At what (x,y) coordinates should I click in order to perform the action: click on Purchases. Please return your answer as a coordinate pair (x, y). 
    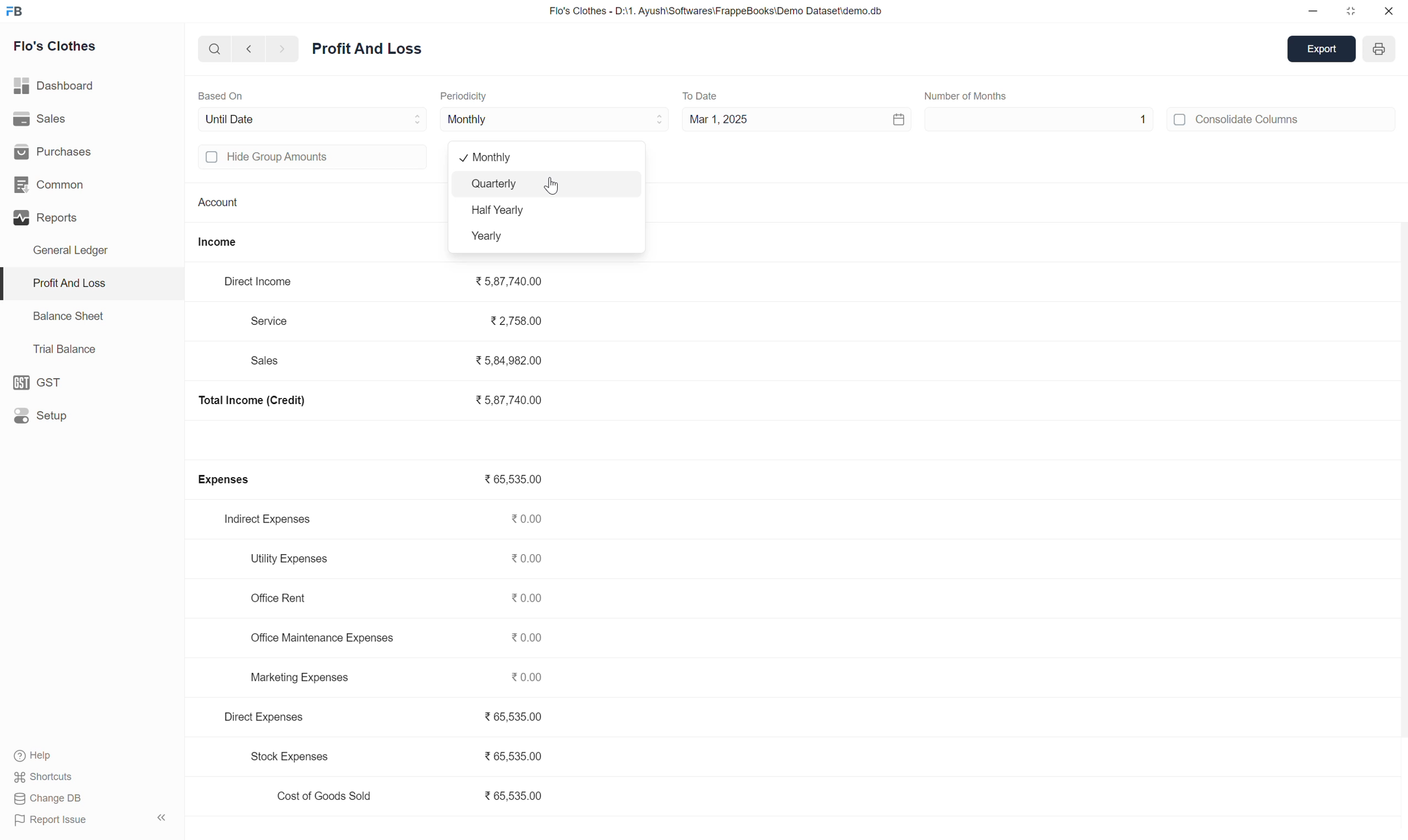
    Looking at the image, I should click on (54, 155).